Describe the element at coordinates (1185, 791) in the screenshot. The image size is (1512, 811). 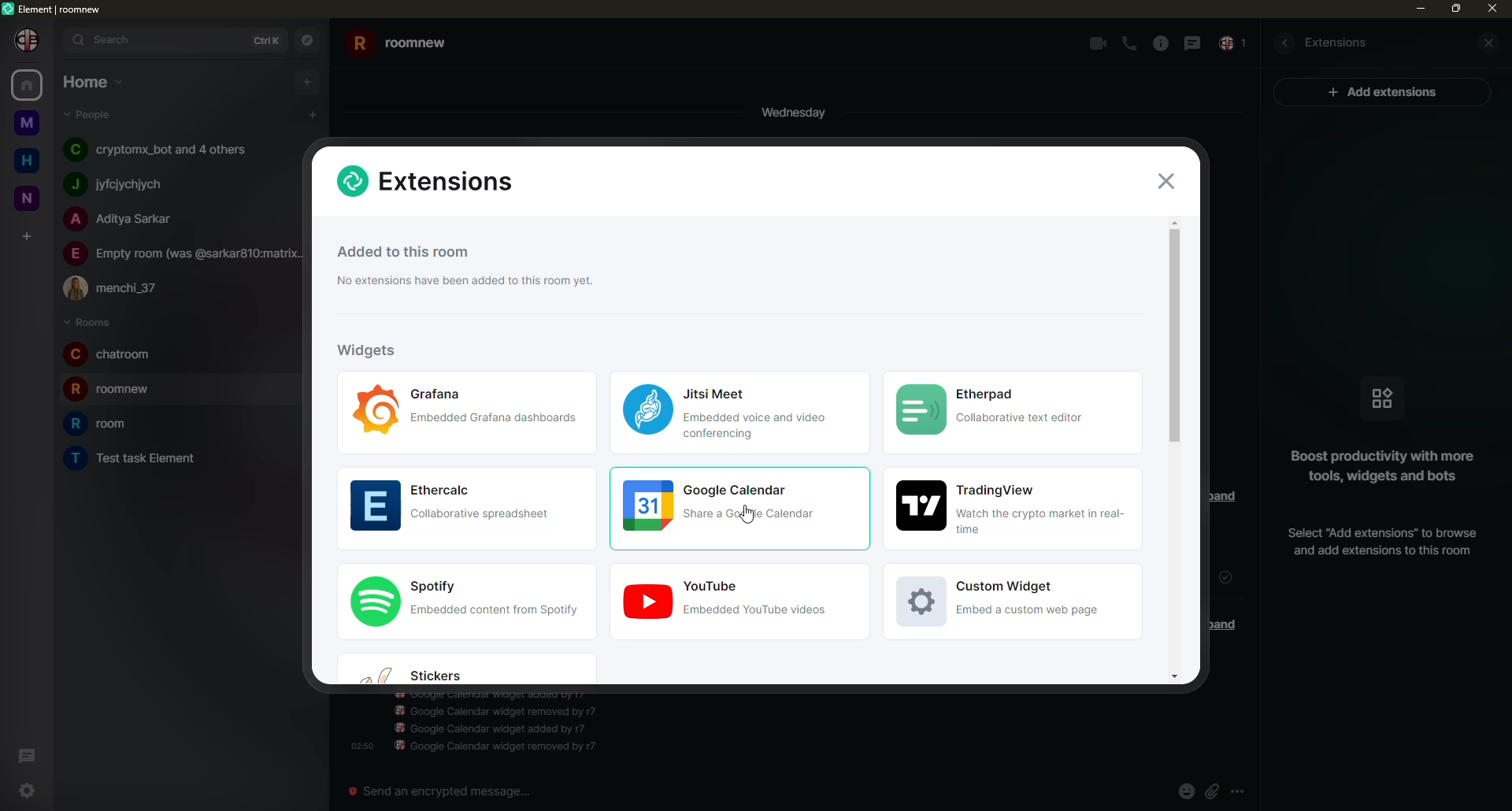
I see `emoji` at that location.